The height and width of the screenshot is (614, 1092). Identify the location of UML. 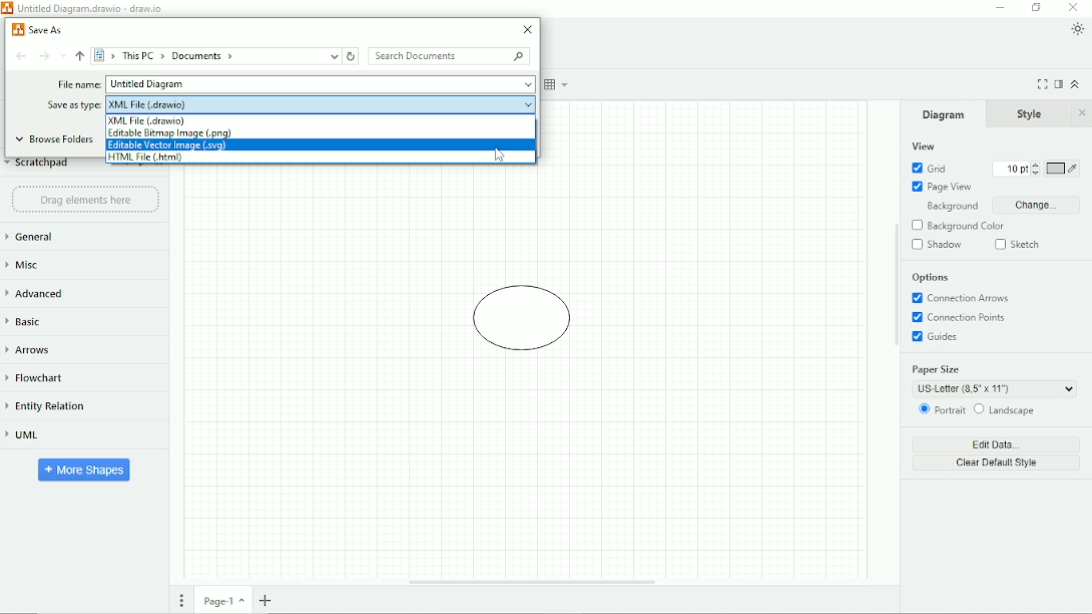
(24, 436).